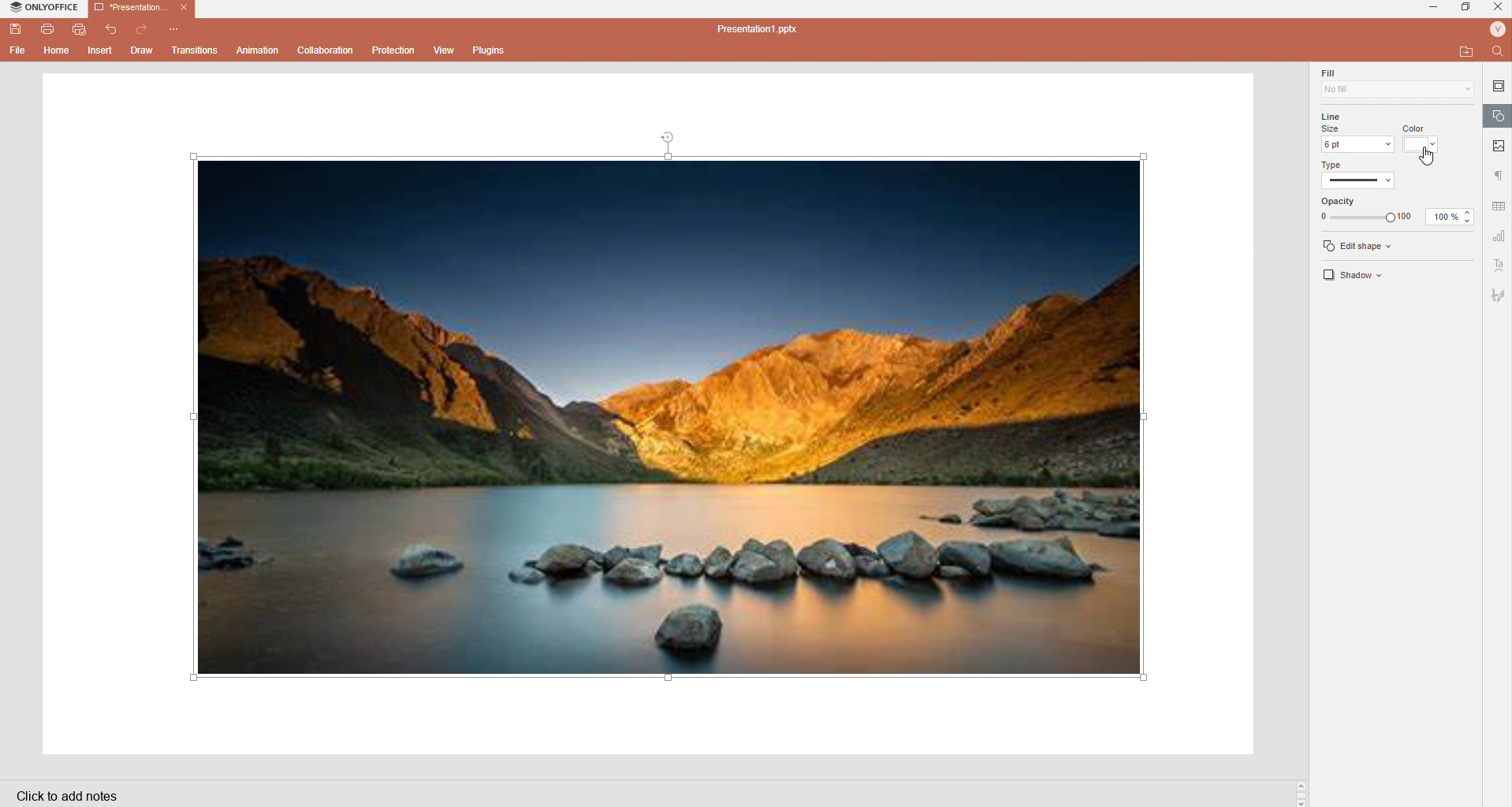 This screenshot has width=1512, height=807. What do you see at coordinates (489, 50) in the screenshot?
I see `Plugins` at bounding box center [489, 50].